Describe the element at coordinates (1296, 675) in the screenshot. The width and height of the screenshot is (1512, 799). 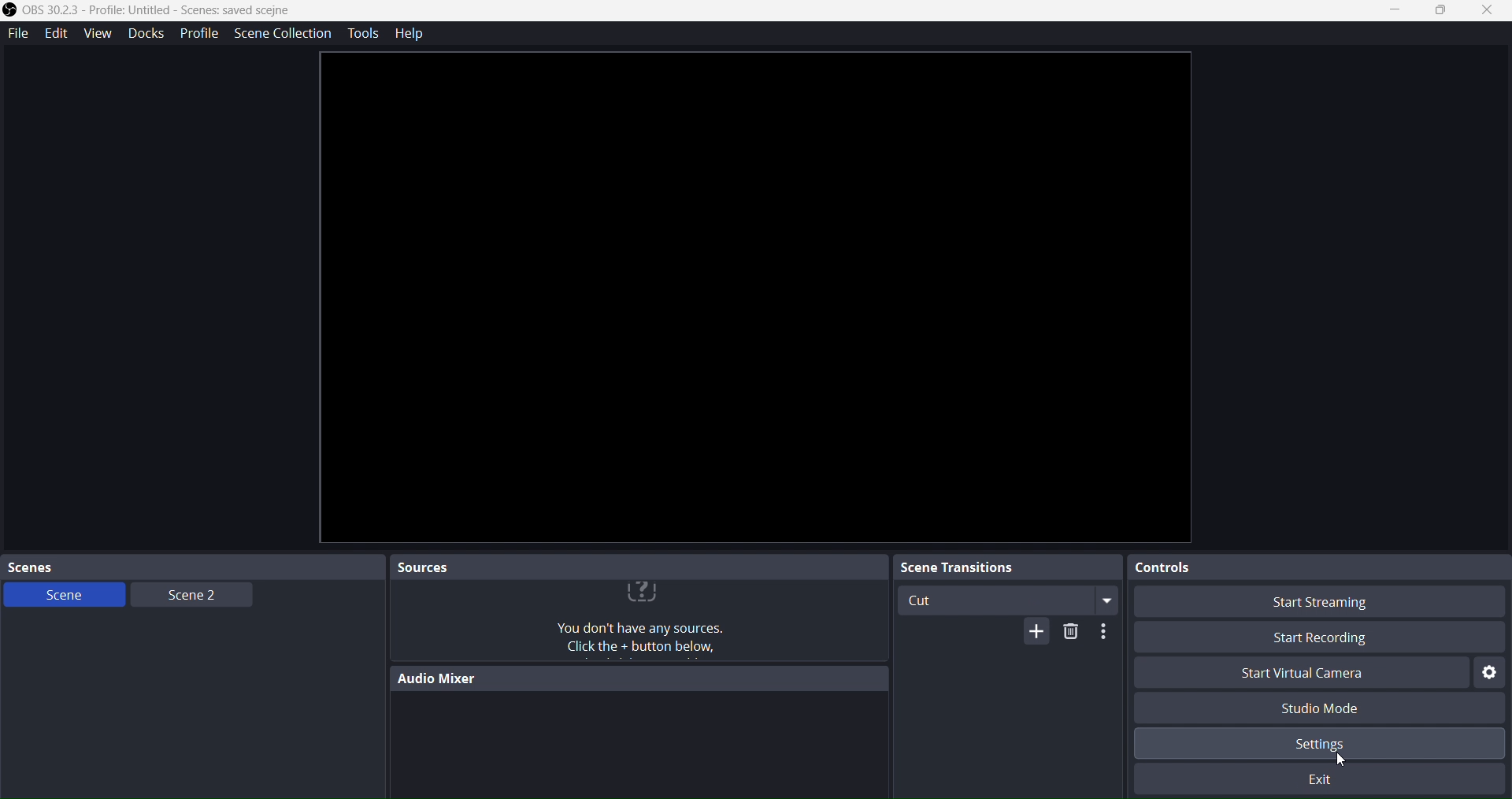
I see `Start Virtual Camera` at that location.